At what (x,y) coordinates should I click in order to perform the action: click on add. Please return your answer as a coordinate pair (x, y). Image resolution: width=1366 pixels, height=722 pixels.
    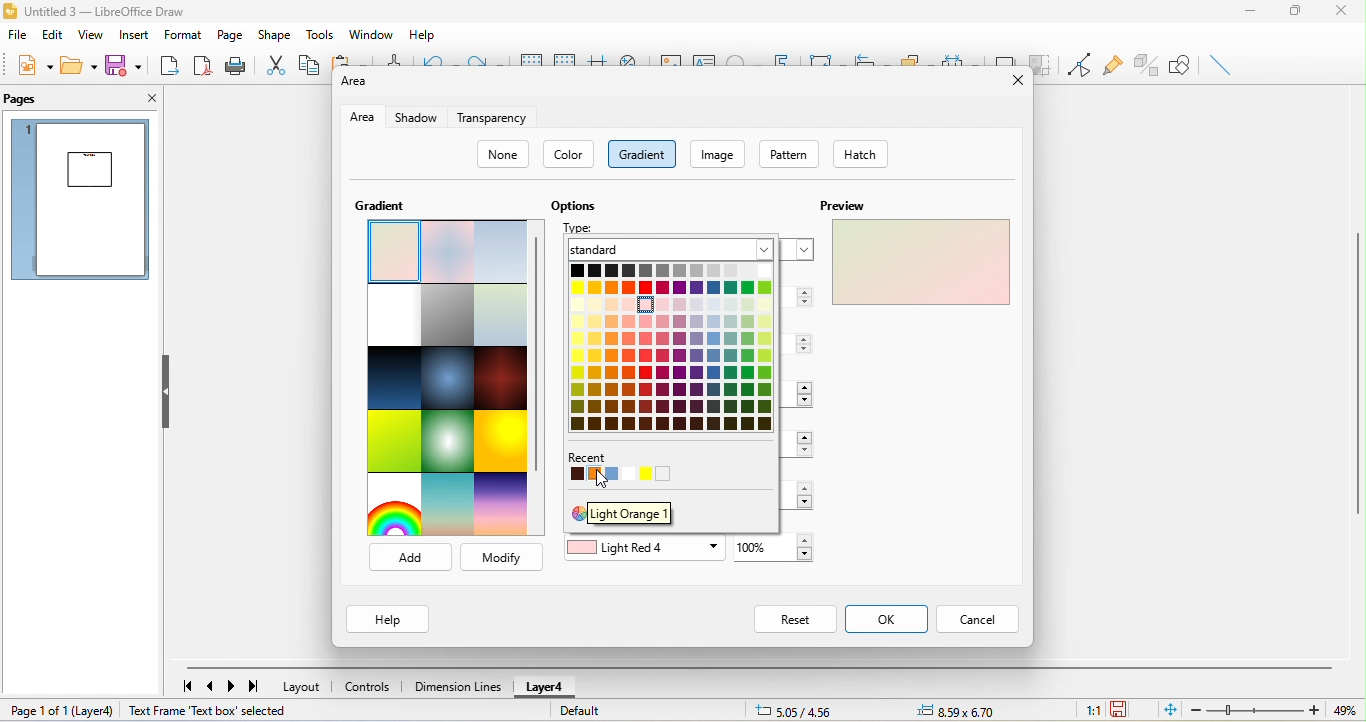
    Looking at the image, I should click on (405, 555).